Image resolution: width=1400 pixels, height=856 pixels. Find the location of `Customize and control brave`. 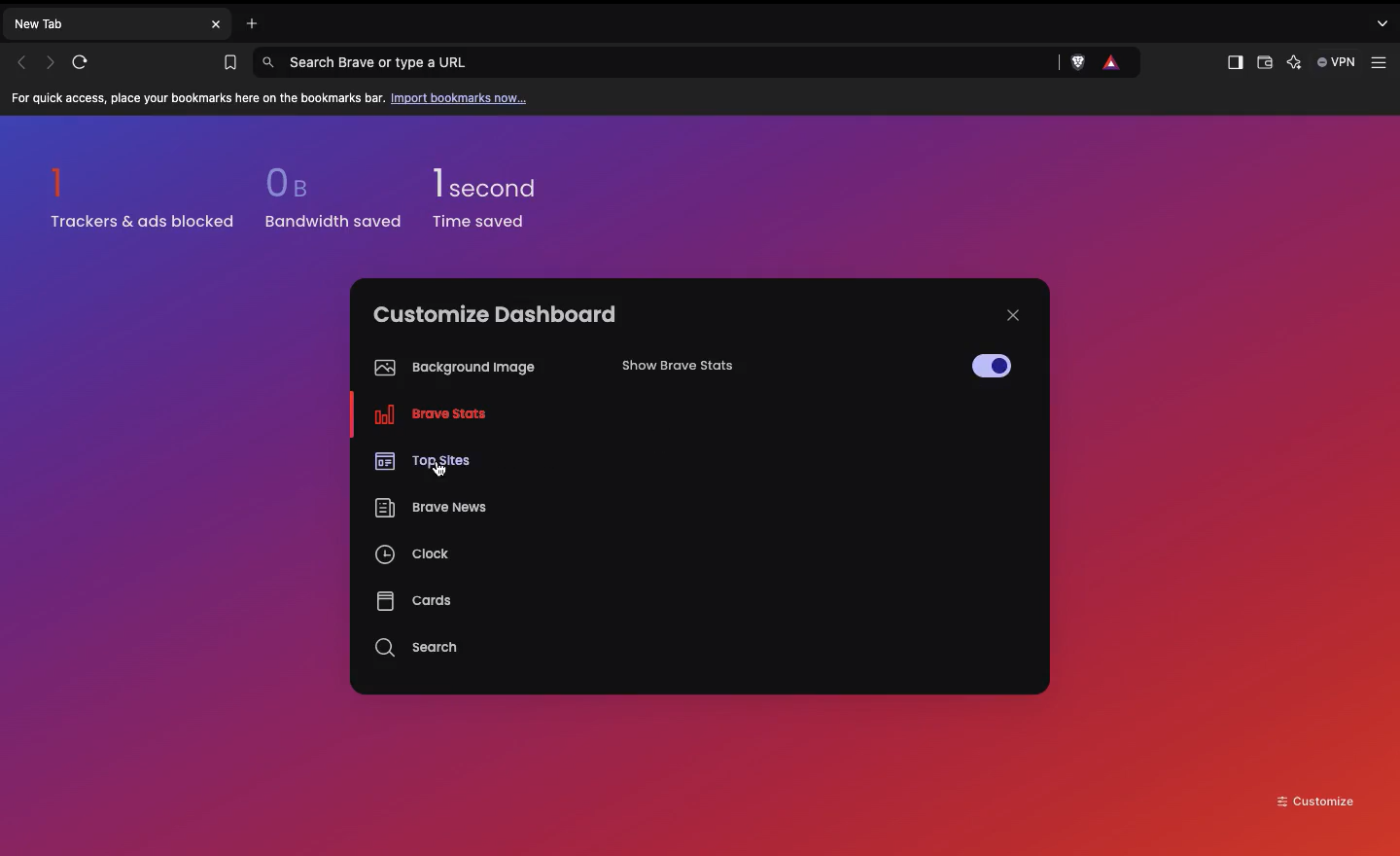

Customize and control brave is located at coordinates (1379, 59).